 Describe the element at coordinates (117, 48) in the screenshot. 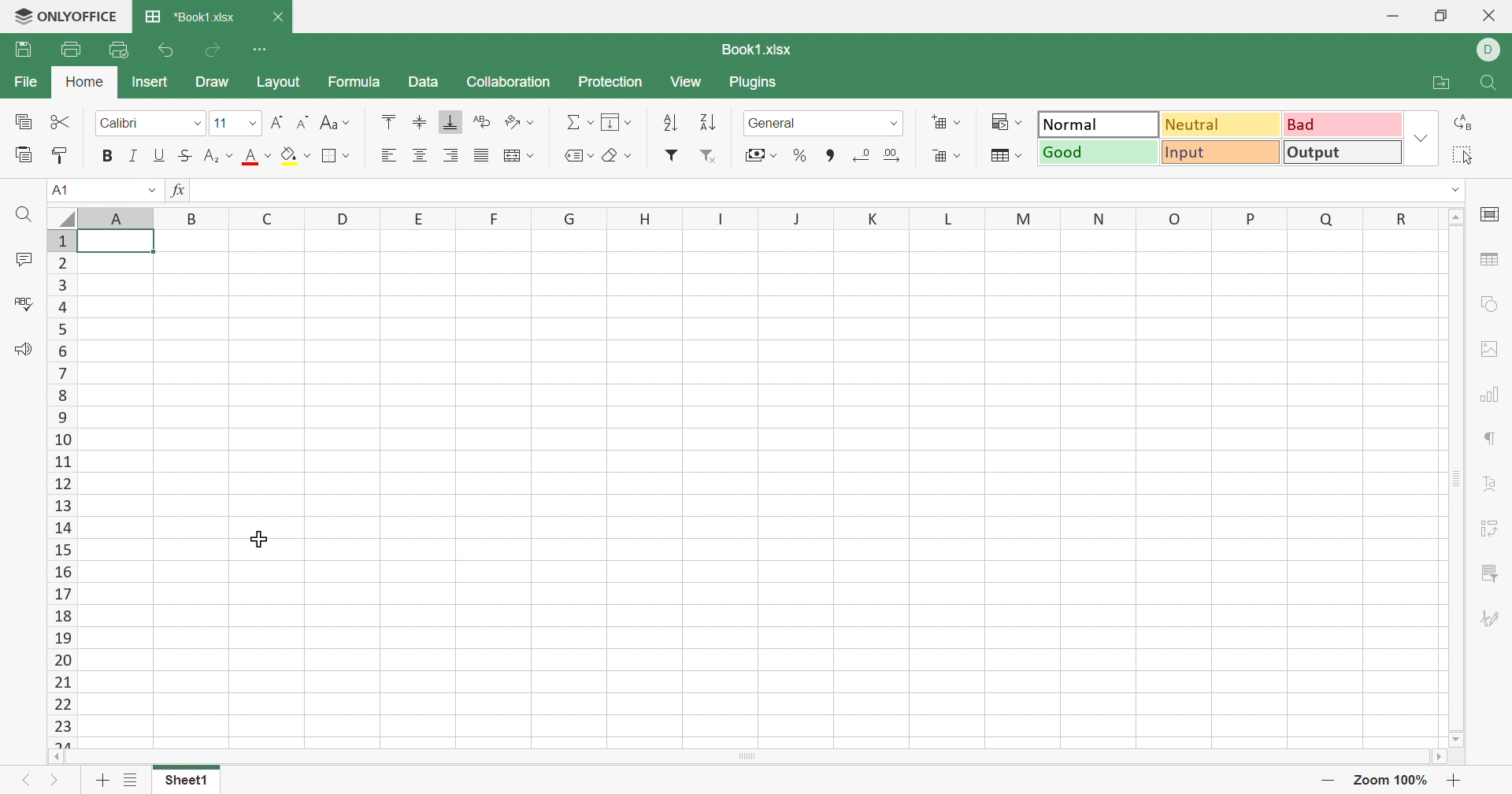

I see `Quick Print` at that location.